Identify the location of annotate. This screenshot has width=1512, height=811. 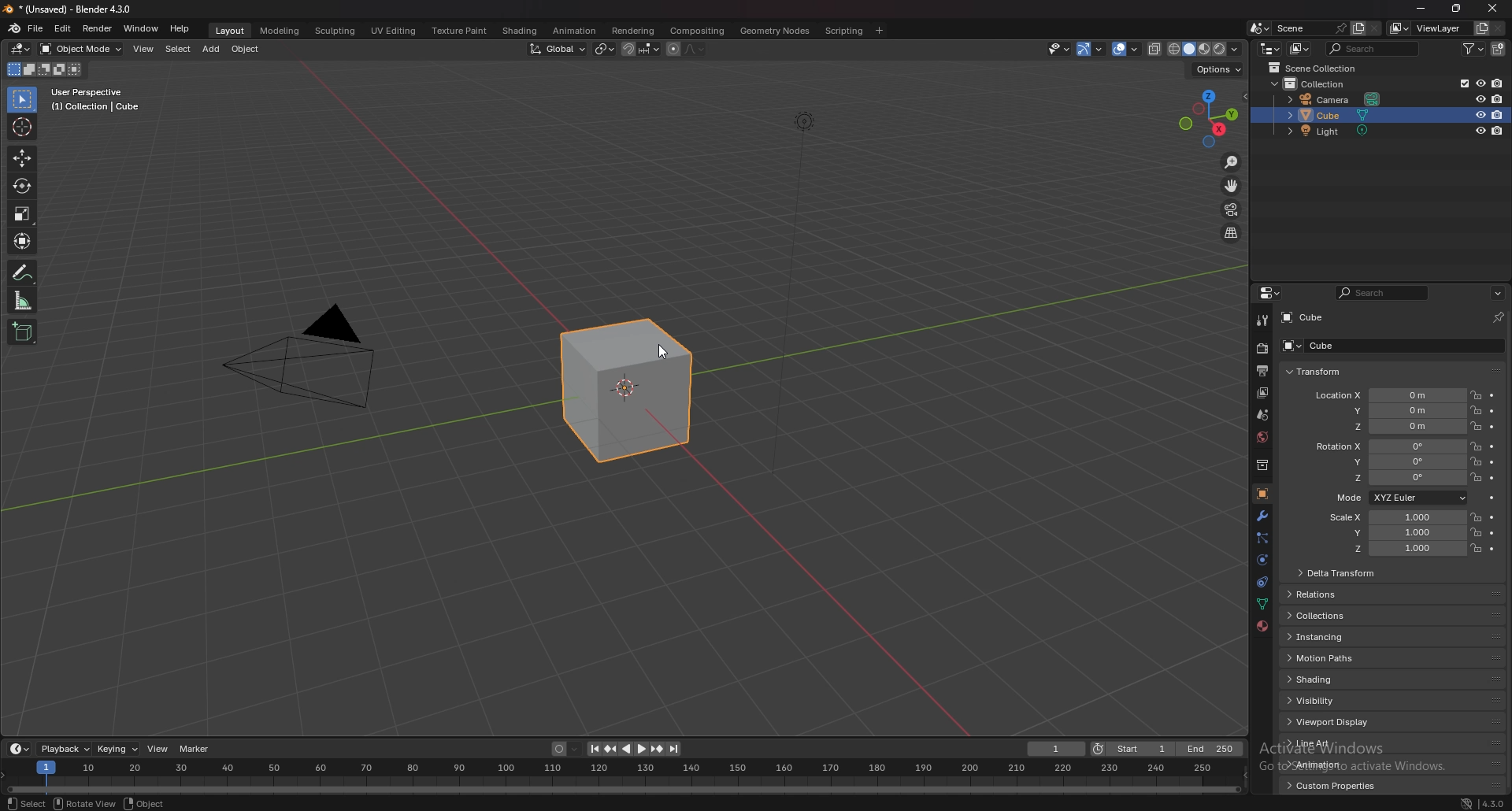
(22, 272).